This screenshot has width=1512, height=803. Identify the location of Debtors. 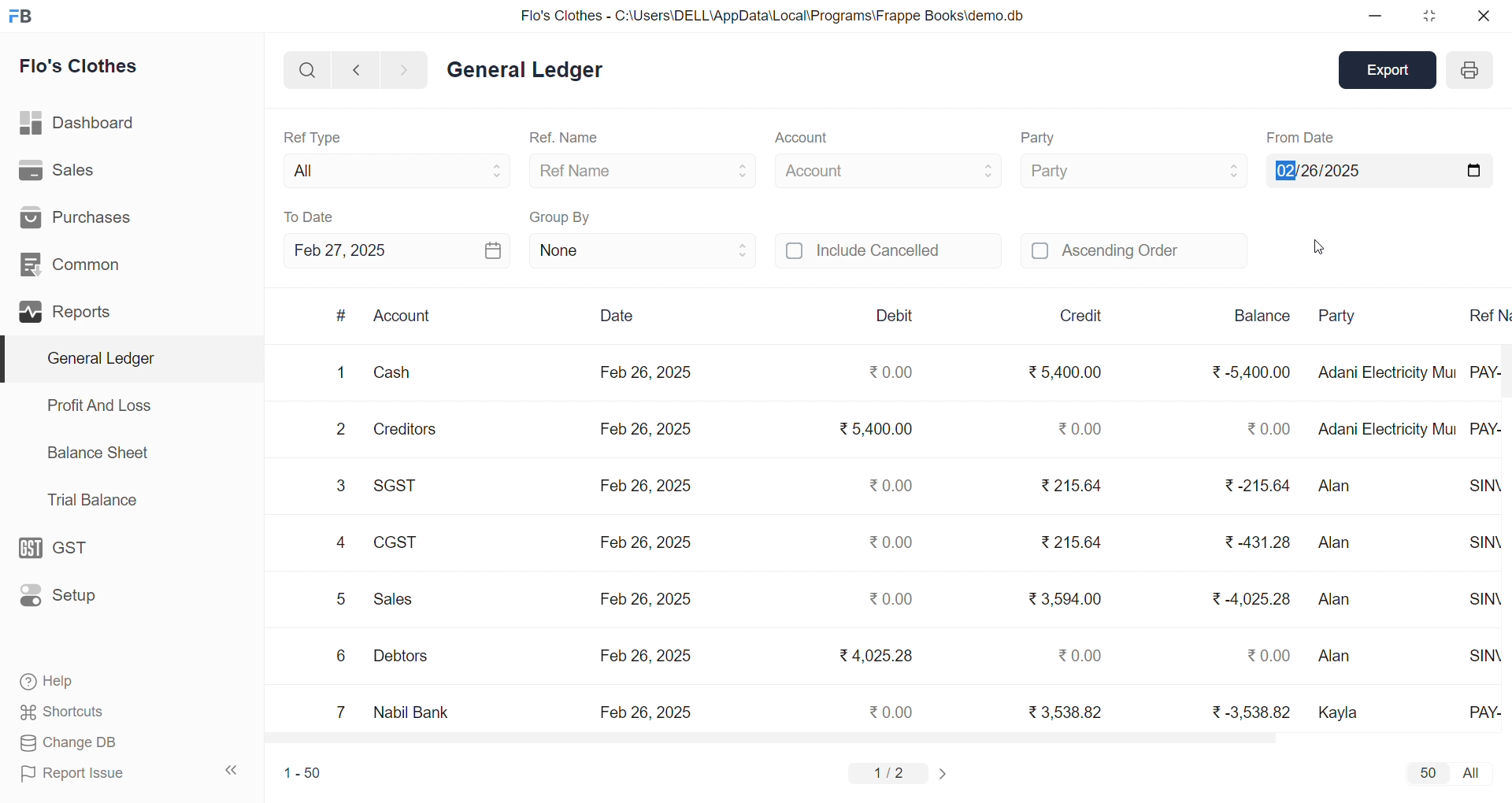
(408, 655).